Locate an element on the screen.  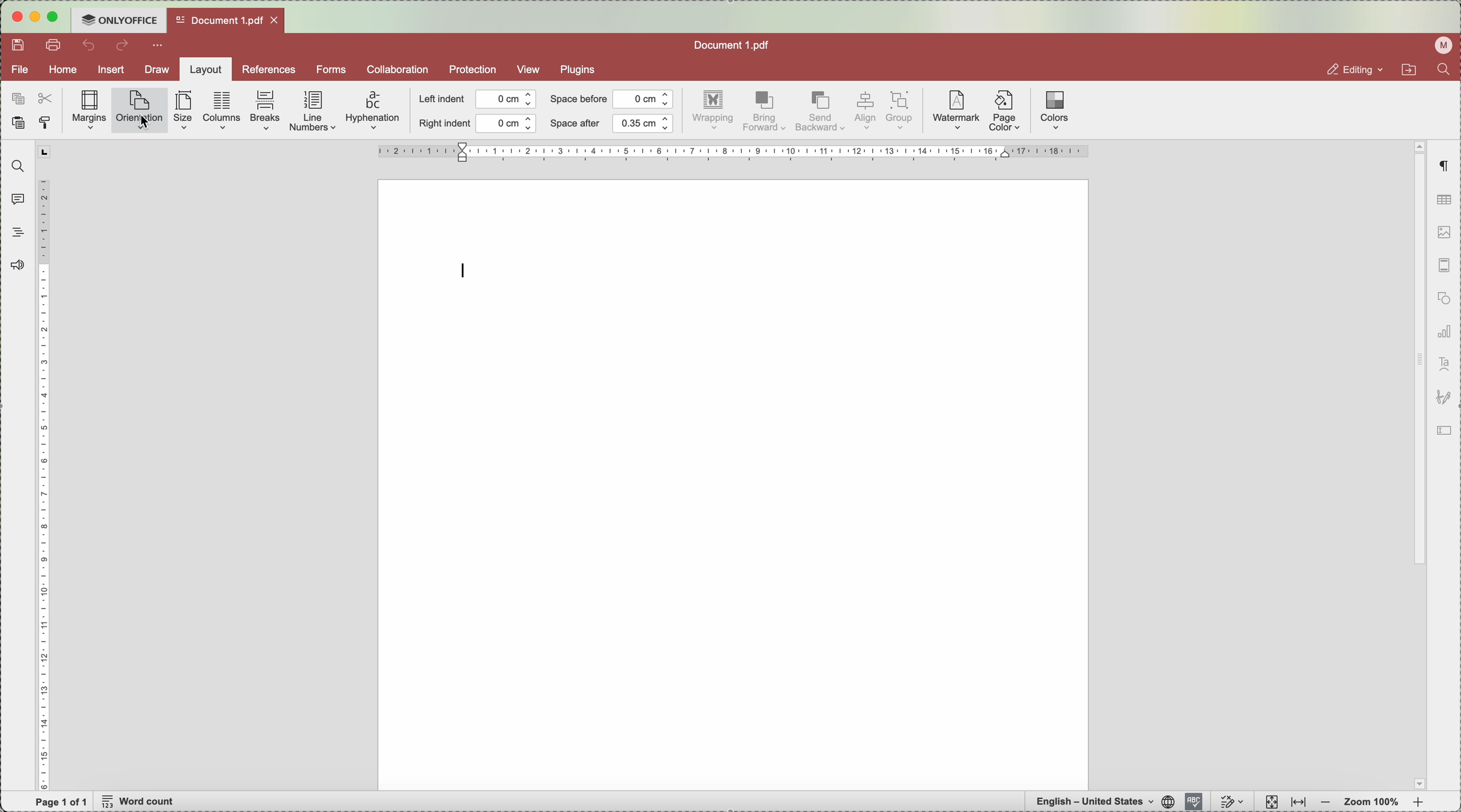
more options is located at coordinates (159, 46).